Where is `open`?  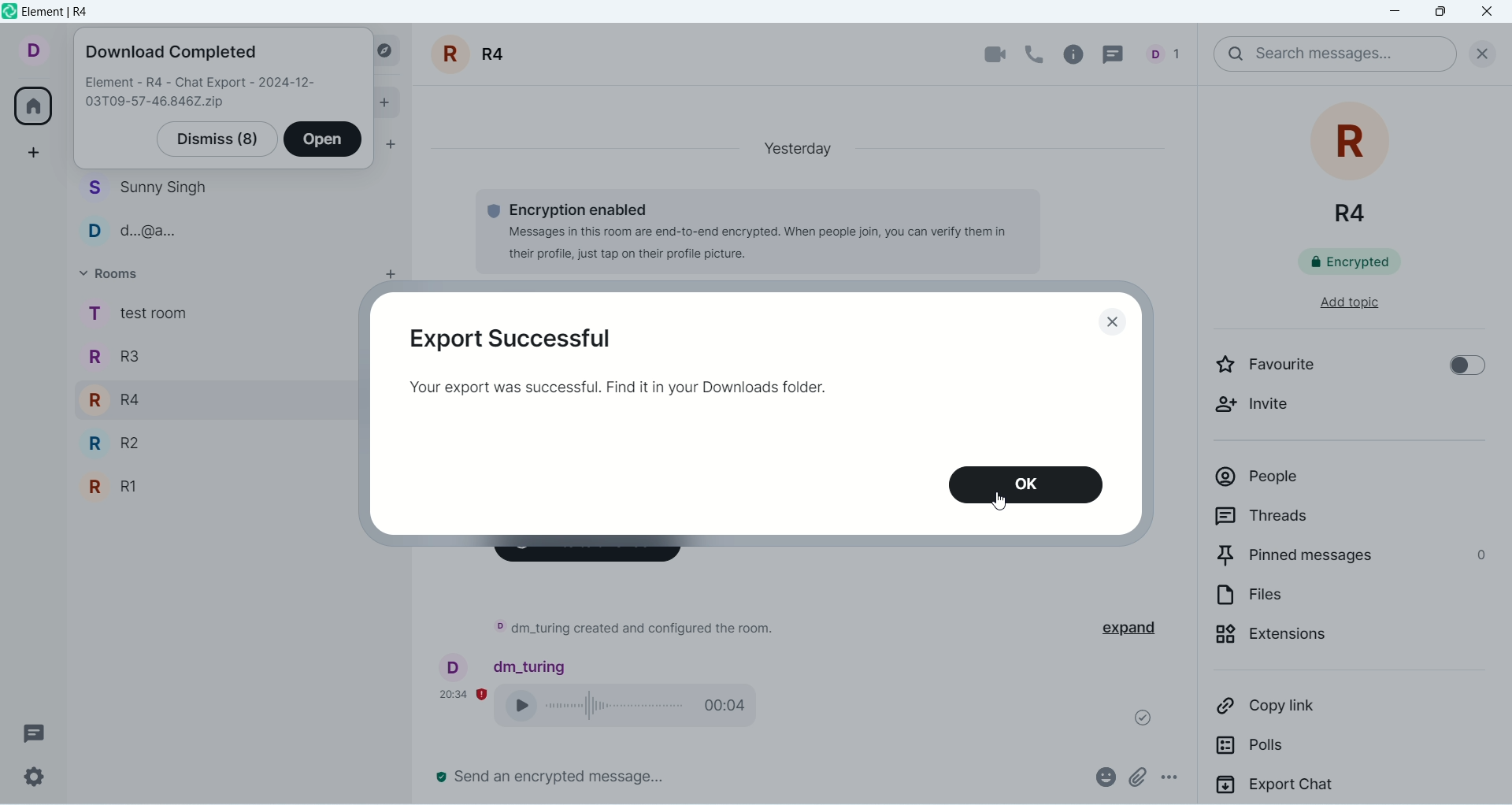 open is located at coordinates (324, 140).